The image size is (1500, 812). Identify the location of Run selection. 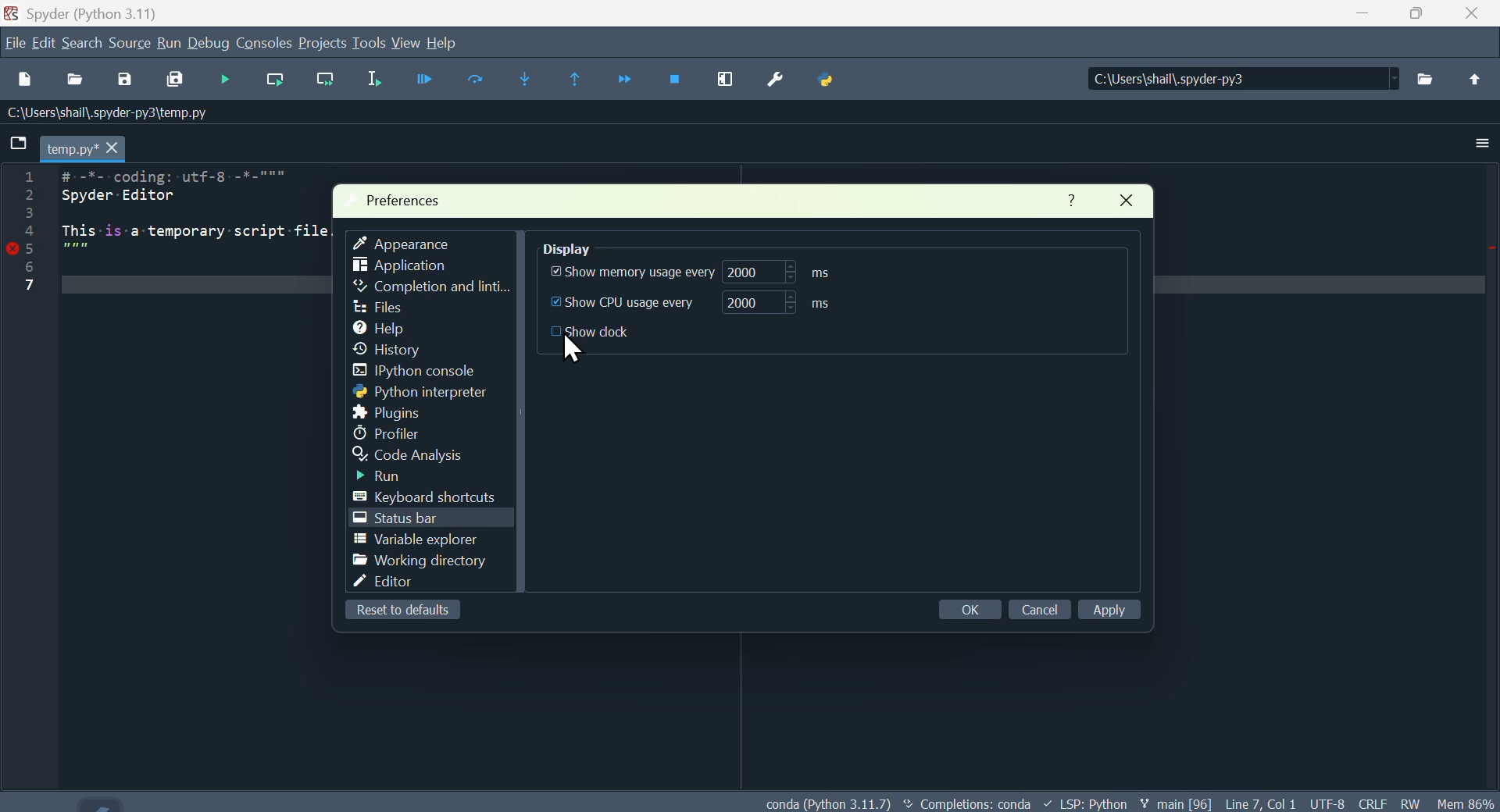
(376, 82).